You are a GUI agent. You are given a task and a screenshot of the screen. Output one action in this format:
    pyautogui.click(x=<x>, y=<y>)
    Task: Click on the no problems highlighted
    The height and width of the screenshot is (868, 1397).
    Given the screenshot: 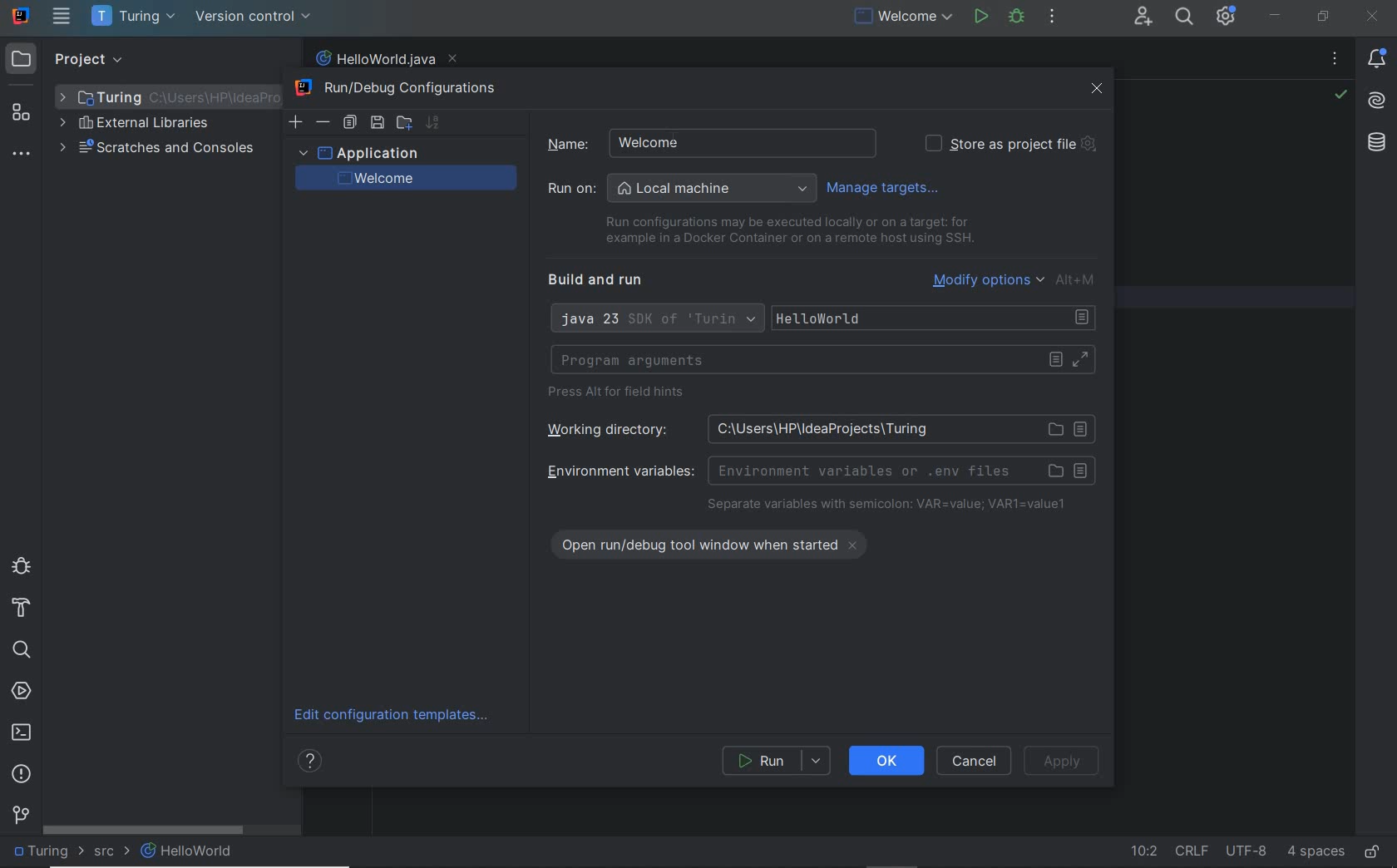 What is the action you would take?
    pyautogui.click(x=1340, y=95)
    